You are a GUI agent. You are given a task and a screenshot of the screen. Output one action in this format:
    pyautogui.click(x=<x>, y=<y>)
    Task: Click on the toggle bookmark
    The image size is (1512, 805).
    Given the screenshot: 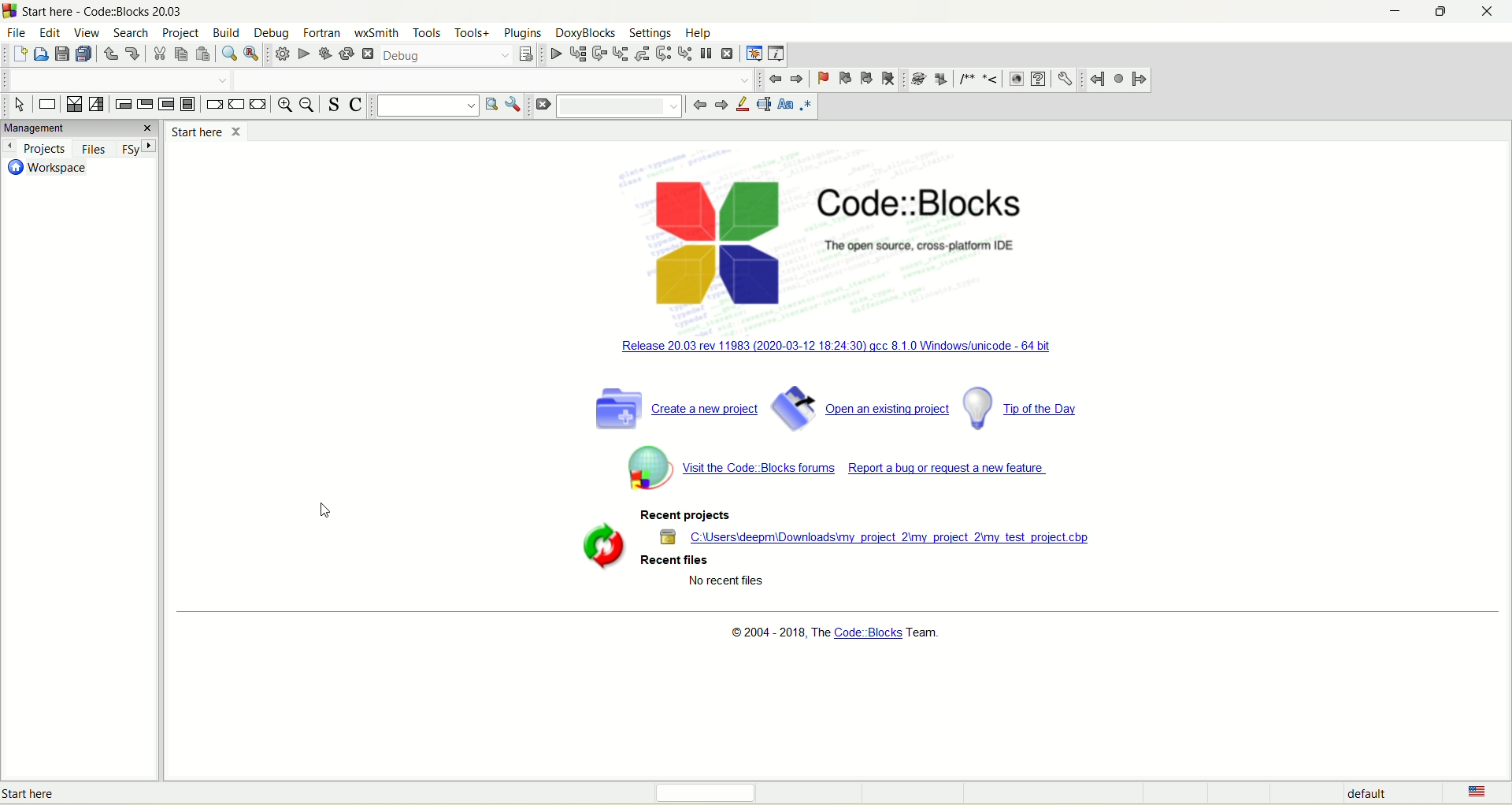 What is the action you would take?
    pyautogui.click(x=821, y=79)
    